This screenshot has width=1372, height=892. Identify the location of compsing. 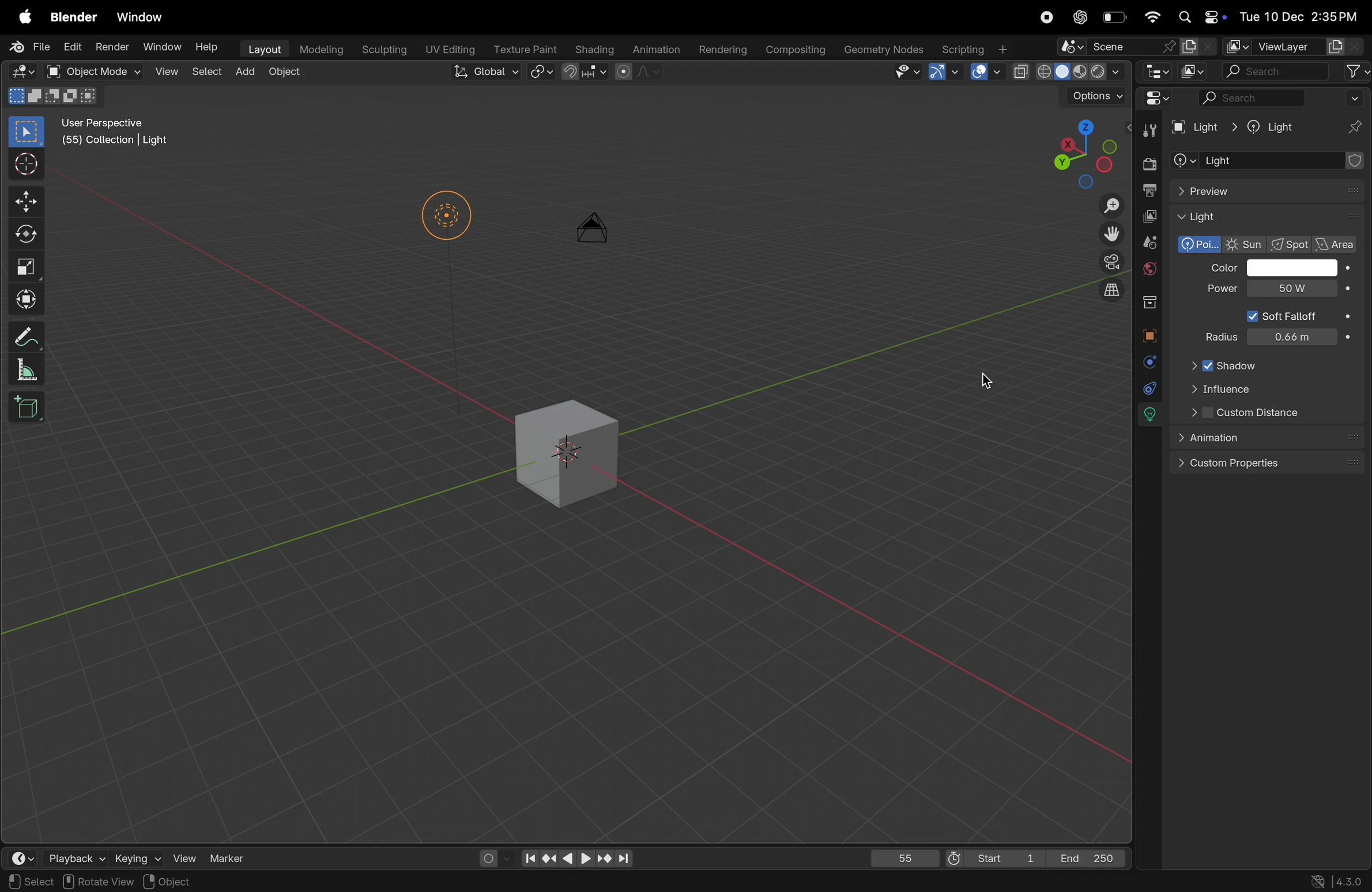
(800, 48).